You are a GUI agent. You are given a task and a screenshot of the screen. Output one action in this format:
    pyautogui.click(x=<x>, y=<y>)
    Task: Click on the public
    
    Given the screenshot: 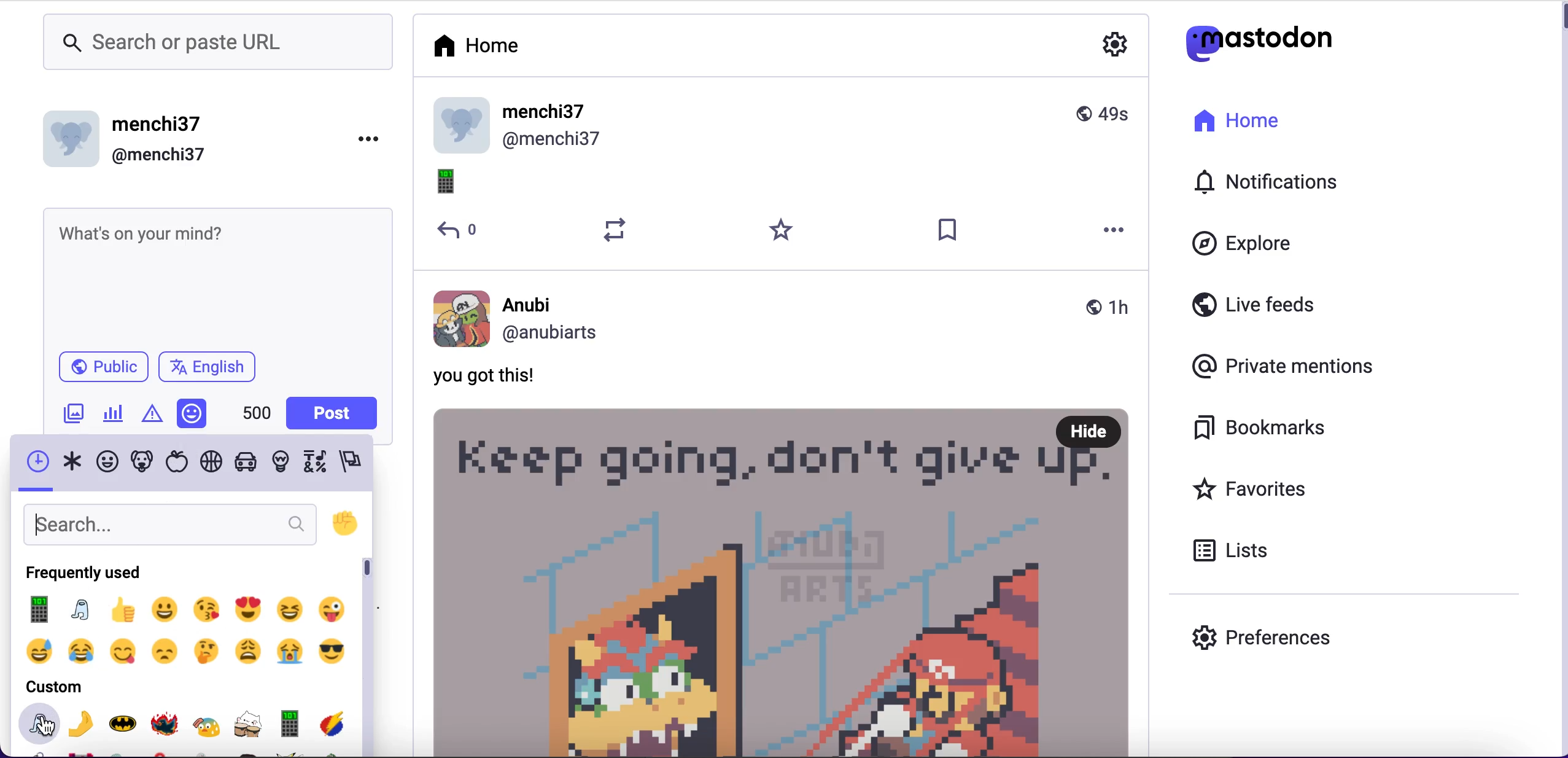 What is the action you would take?
    pyautogui.click(x=93, y=372)
    